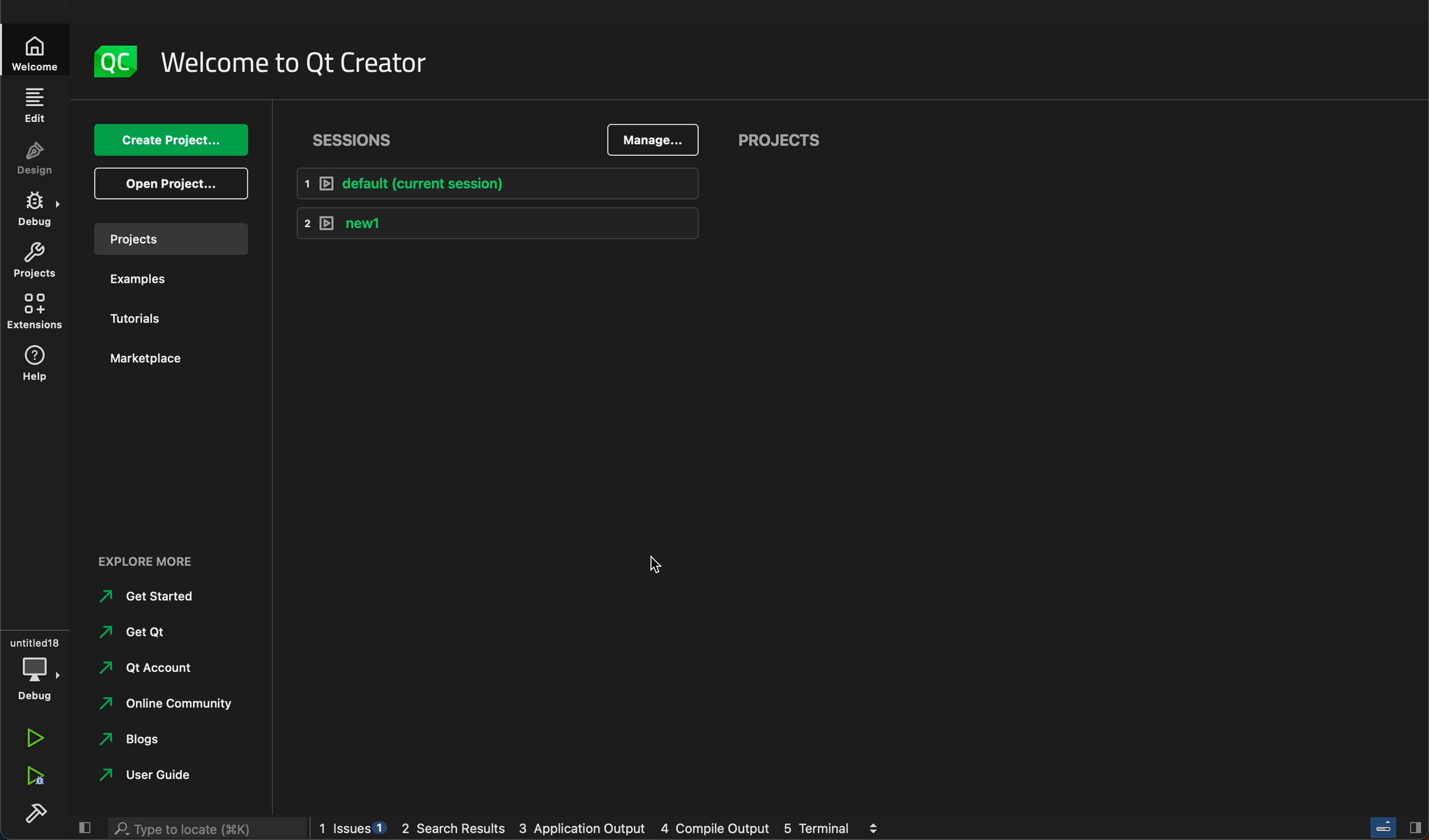 This screenshot has width=1429, height=840. What do you see at coordinates (152, 561) in the screenshot?
I see `explore more` at bounding box center [152, 561].